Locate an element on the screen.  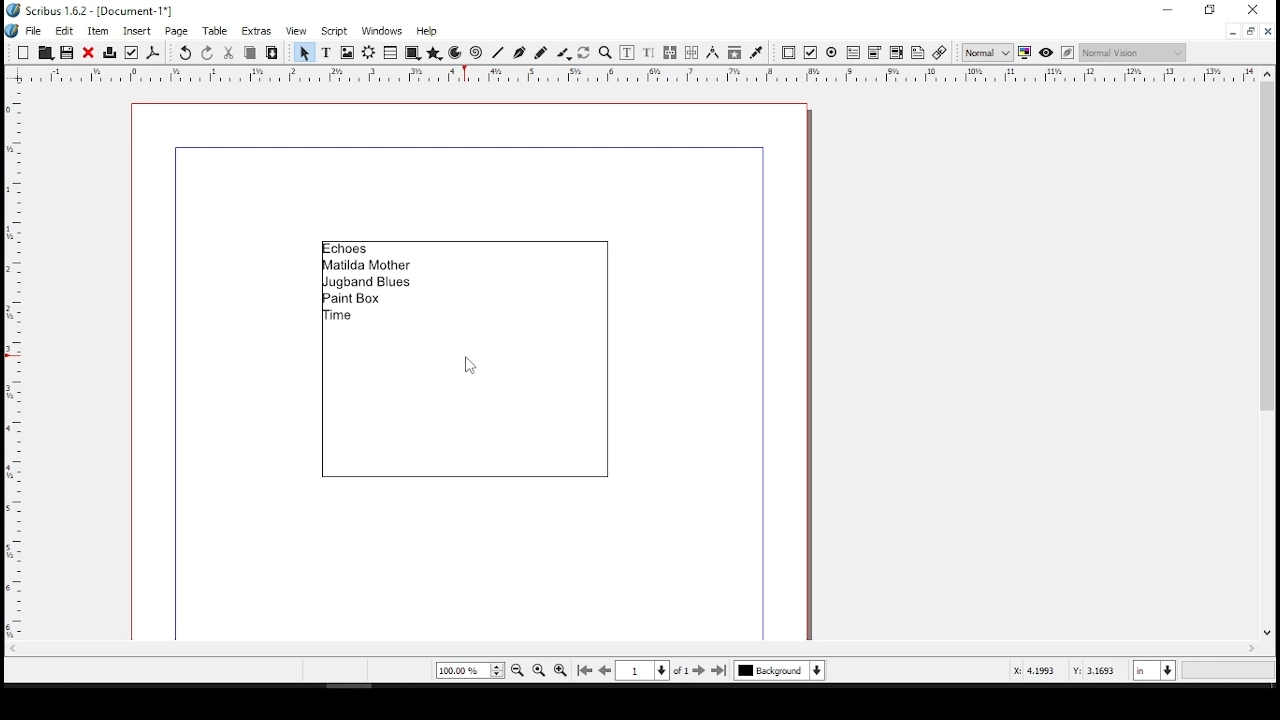
save is located at coordinates (66, 52).